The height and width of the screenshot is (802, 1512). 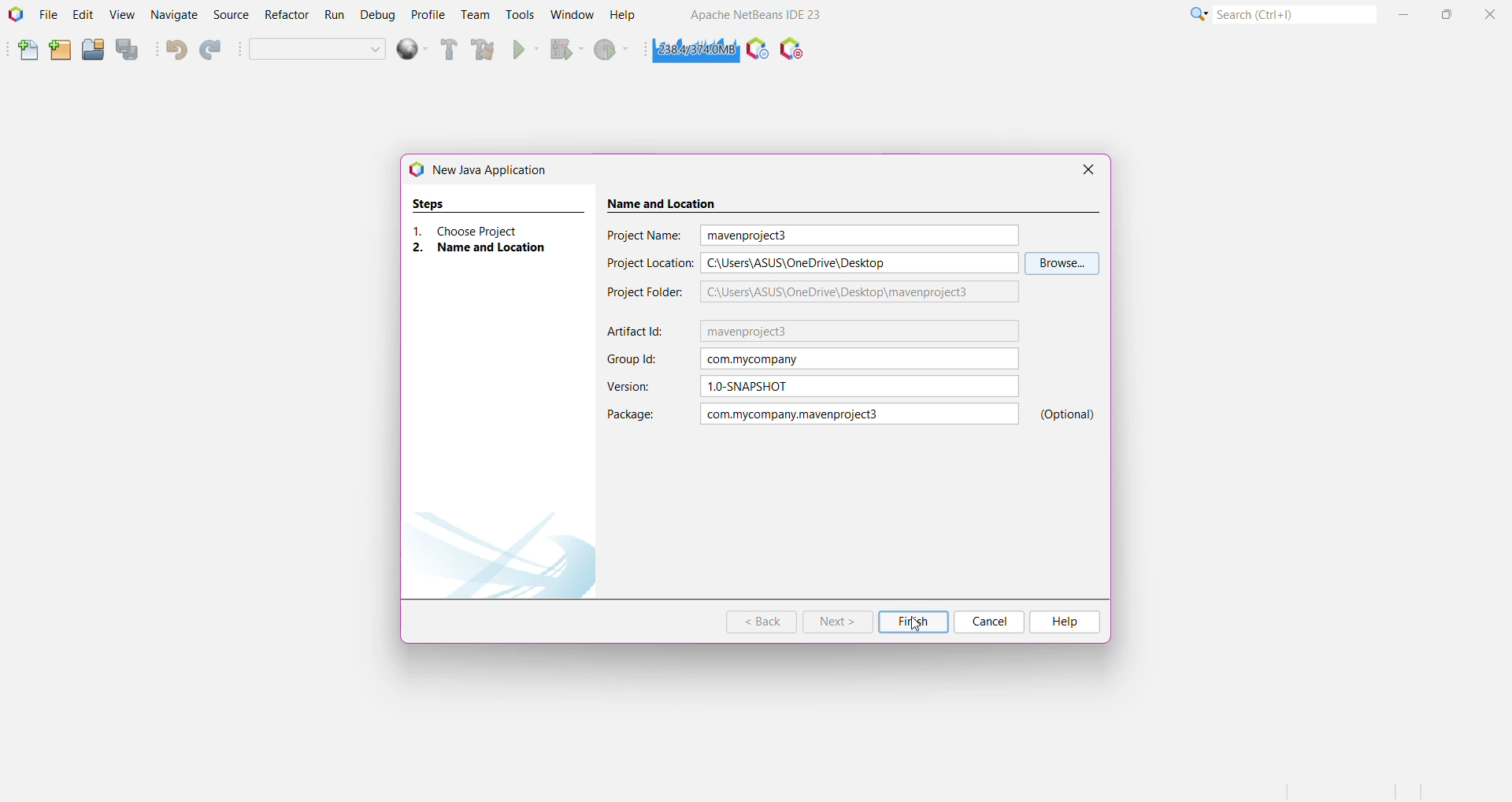 I want to click on Version, so click(x=632, y=387).